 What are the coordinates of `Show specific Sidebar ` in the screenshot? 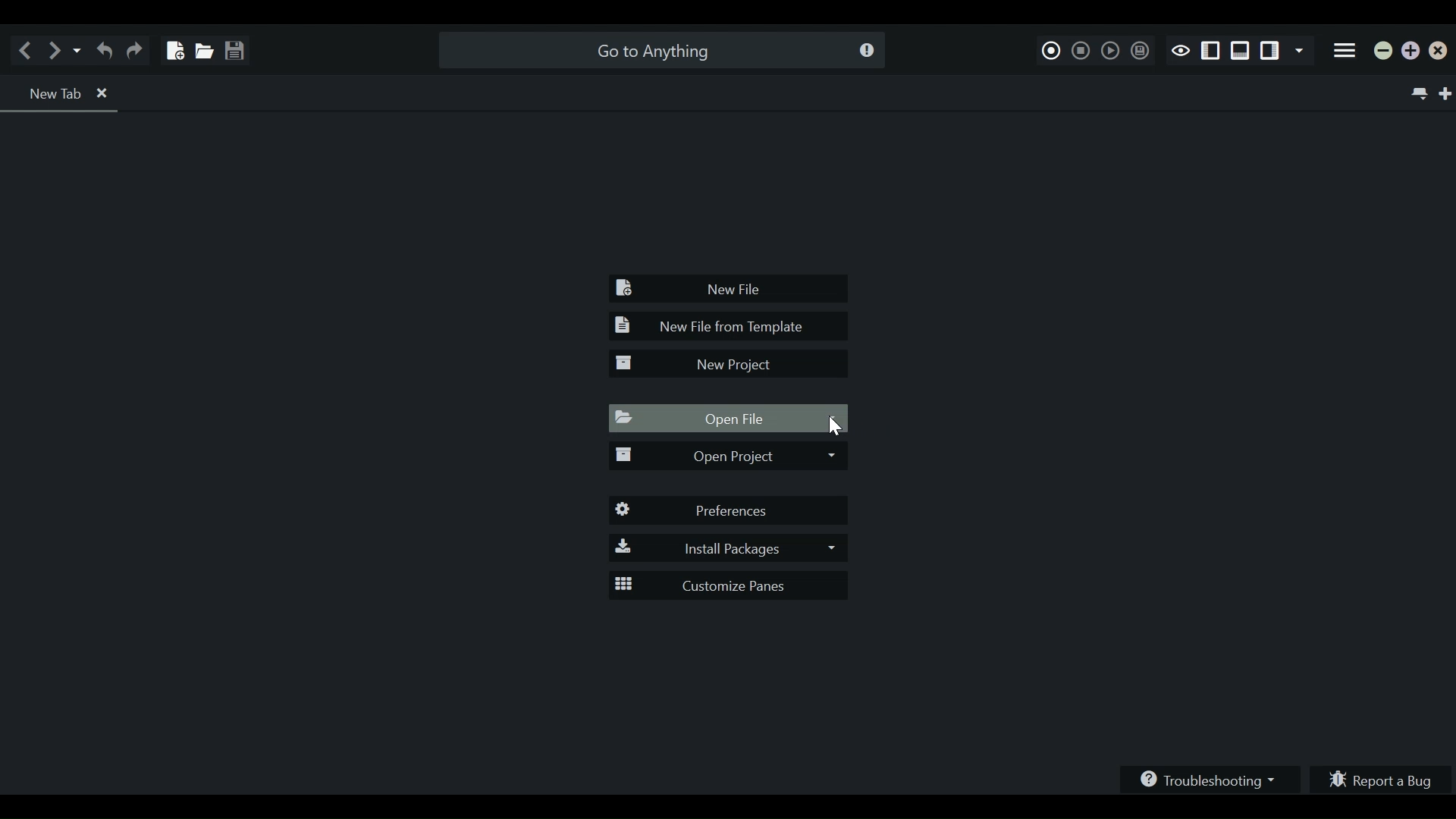 It's located at (1302, 52).